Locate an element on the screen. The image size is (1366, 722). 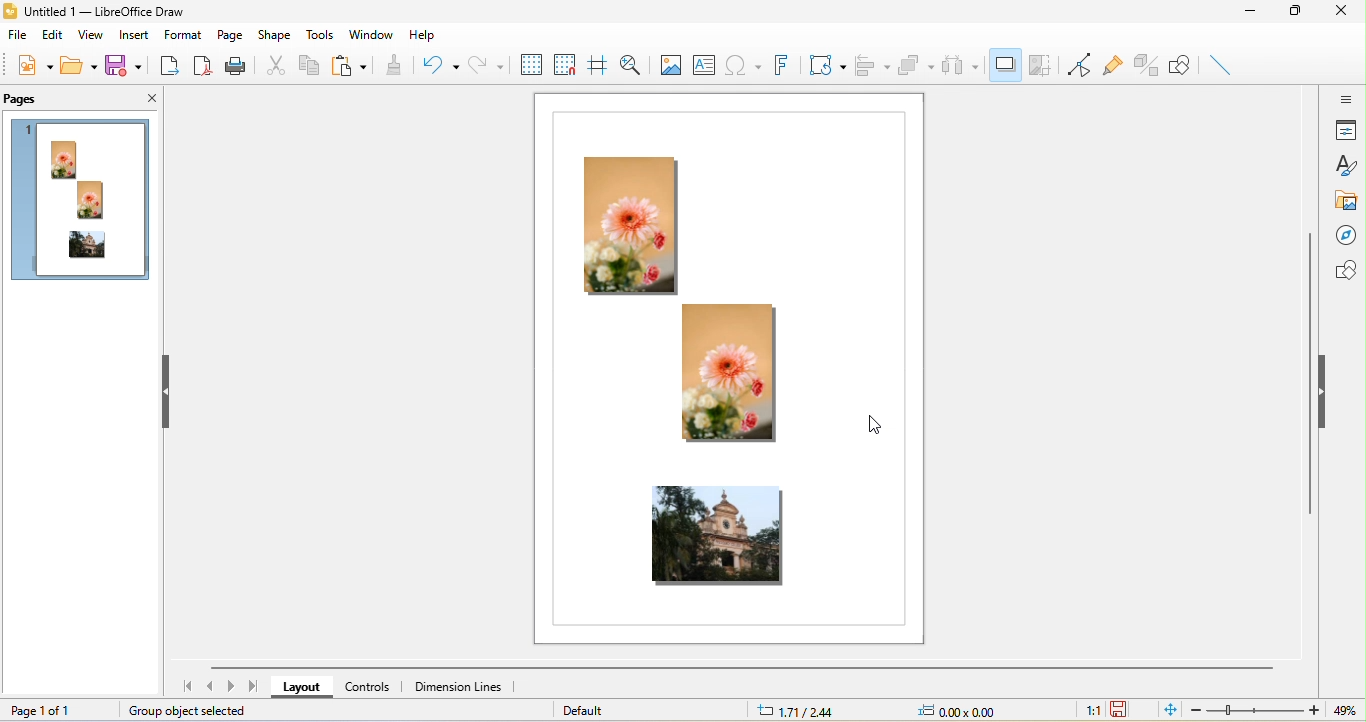
new is located at coordinates (31, 68).